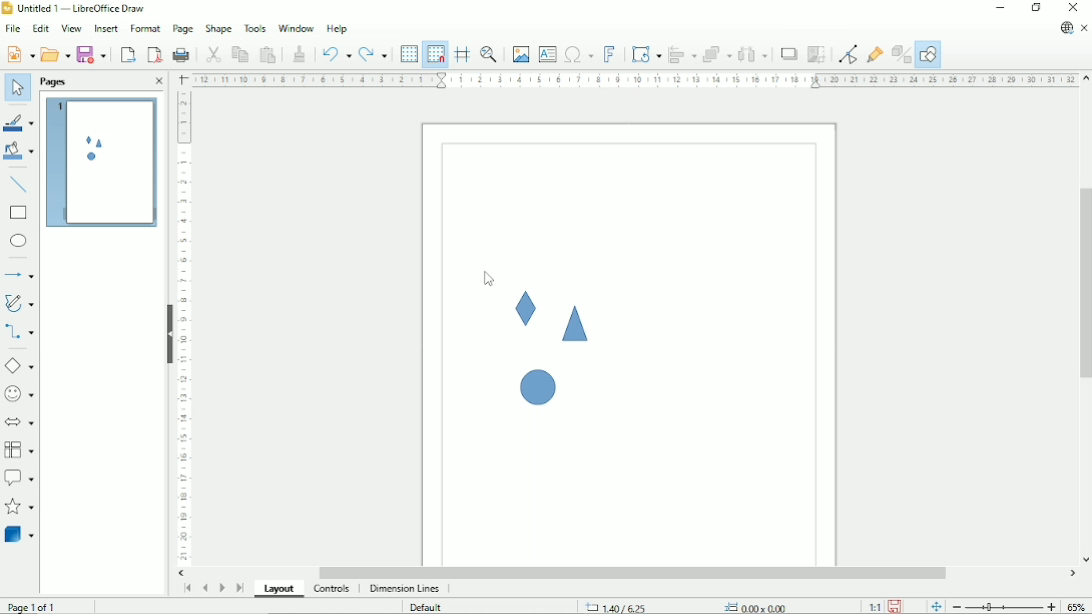  I want to click on Export directly as PDF, so click(154, 54).